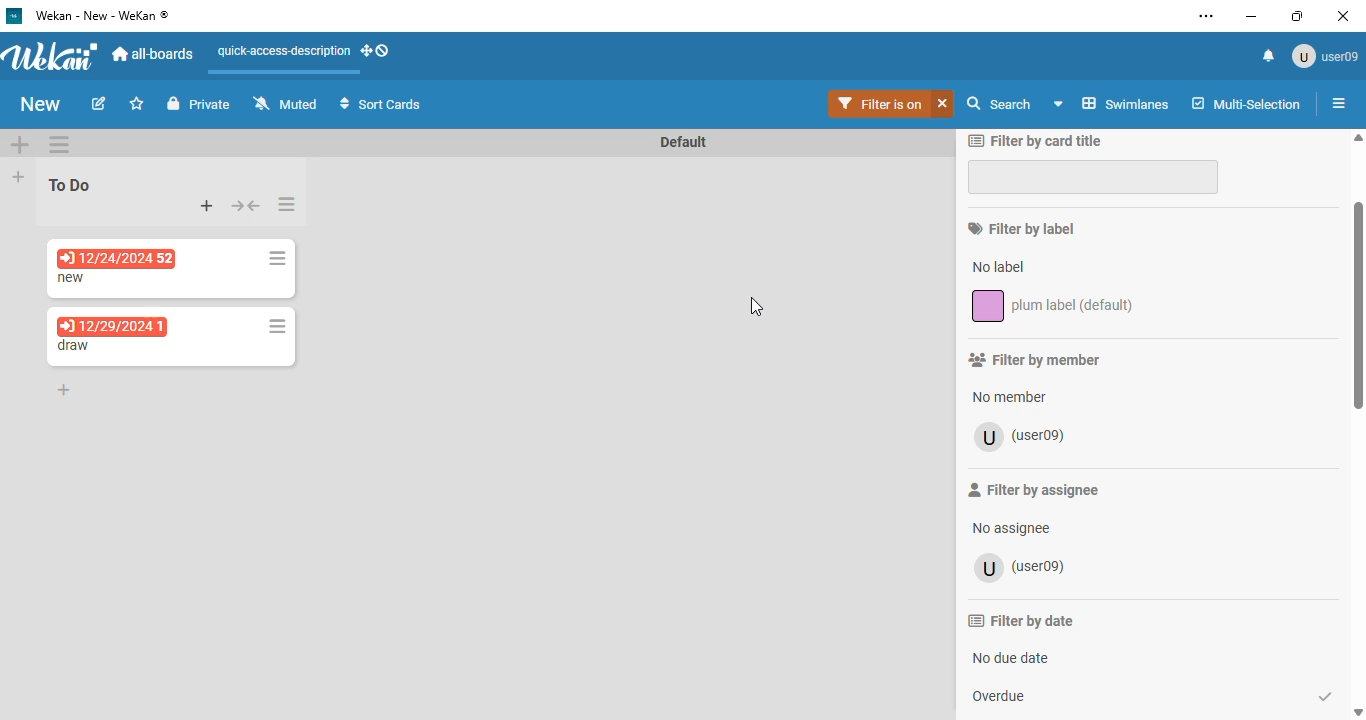 The height and width of the screenshot is (720, 1366). Describe the element at coordinates (684, 141) in the screenshot. I see `swimlane name` at that location.